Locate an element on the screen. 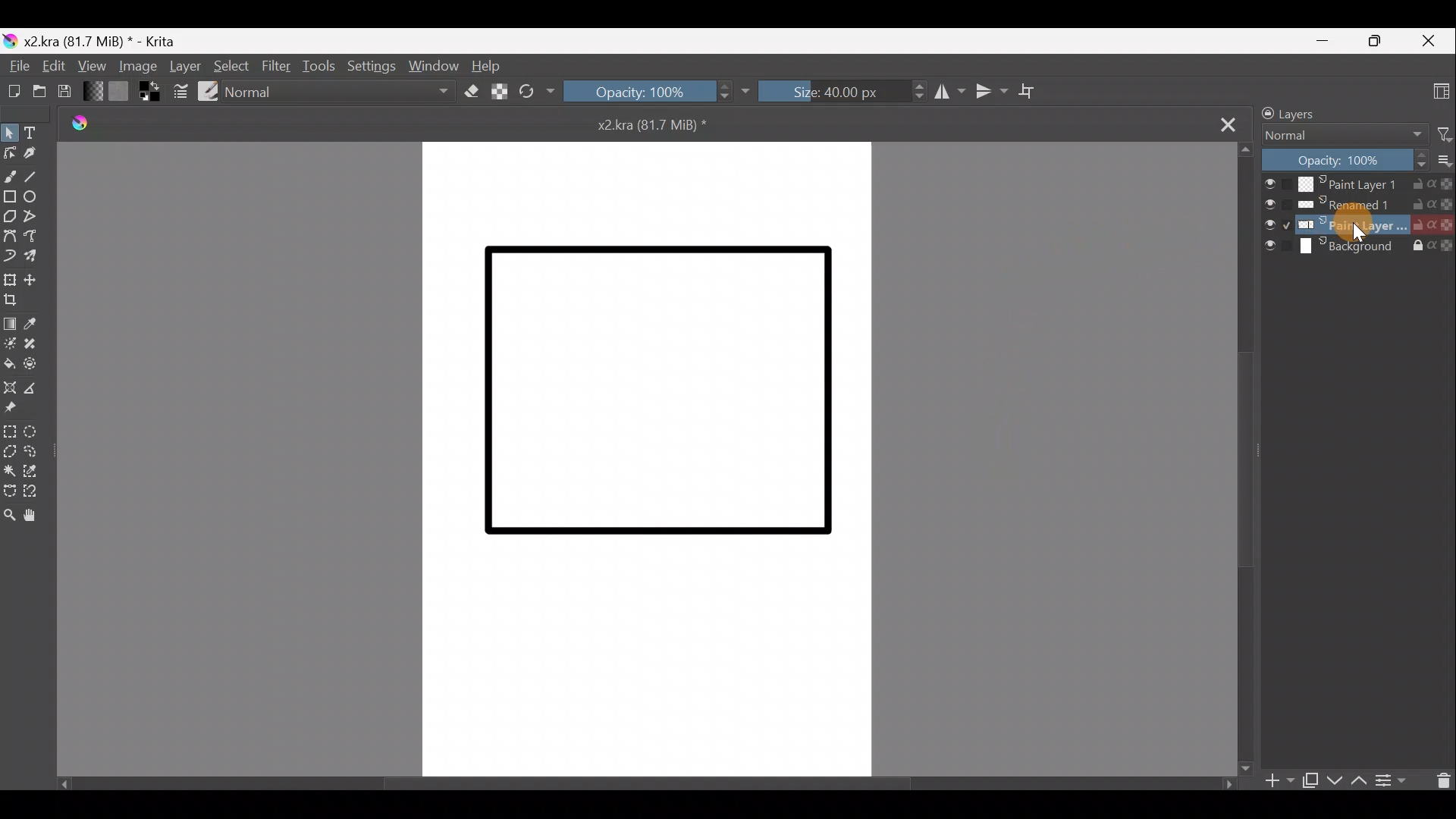  Polygonal selection tool is located at coordinates (9, 449).